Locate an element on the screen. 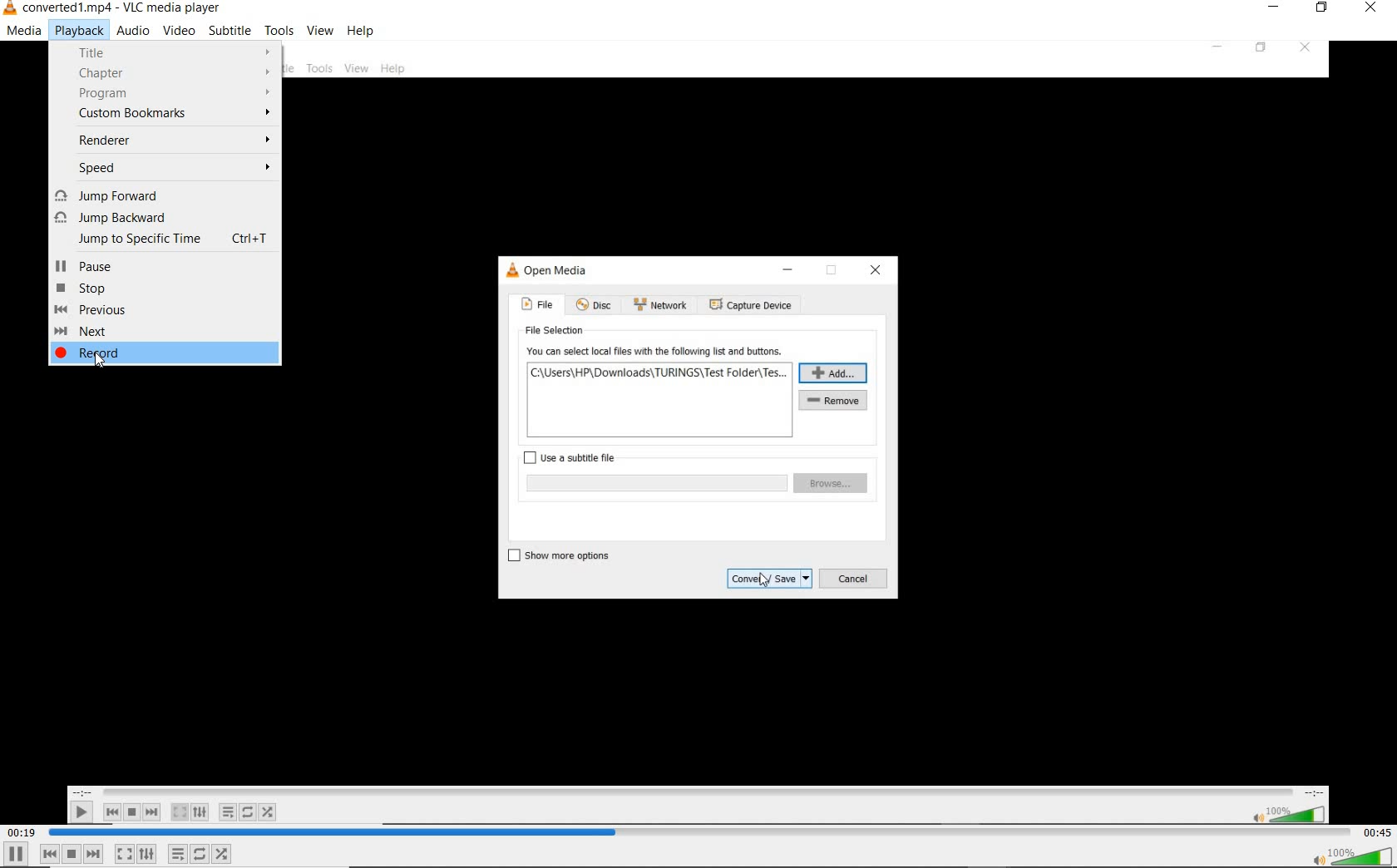 The width and height of the screenshot is (1397, 868). seek bar is located at coordinates (700, 831).